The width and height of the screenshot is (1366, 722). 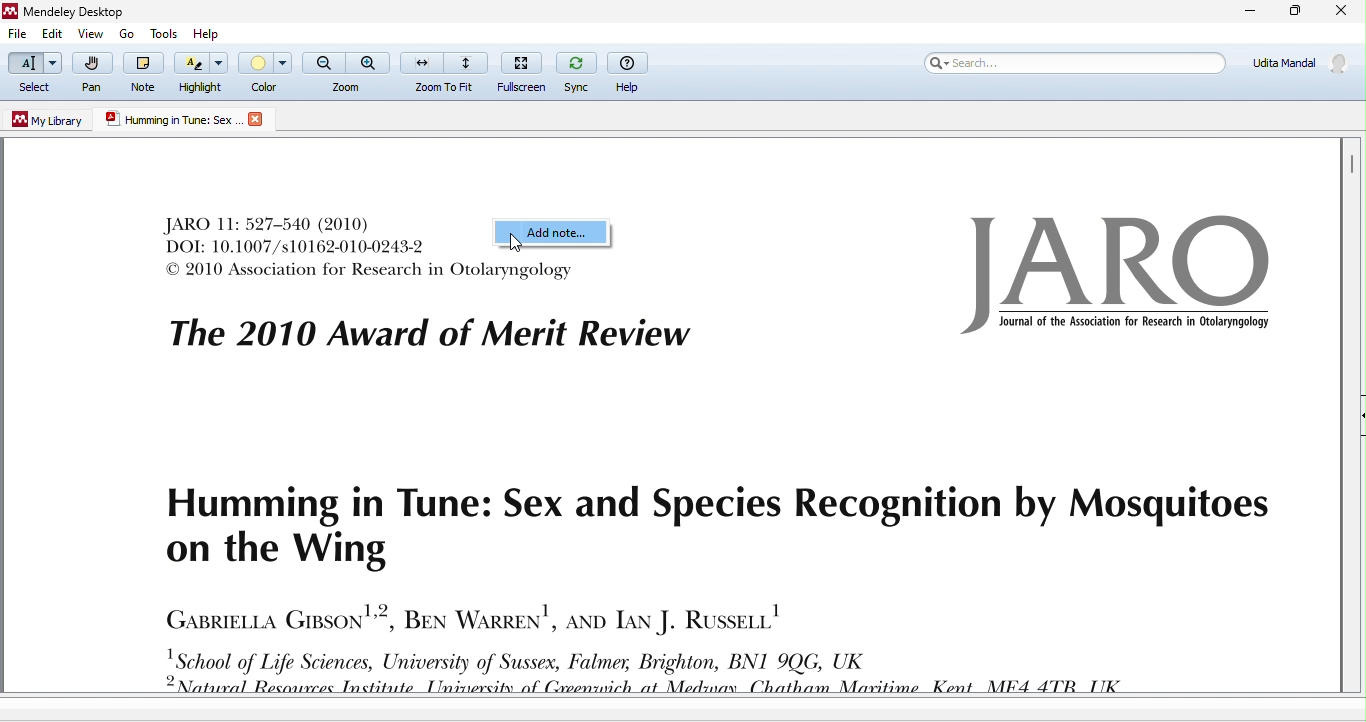 I want to click on add note, so click(x=553, y=237).